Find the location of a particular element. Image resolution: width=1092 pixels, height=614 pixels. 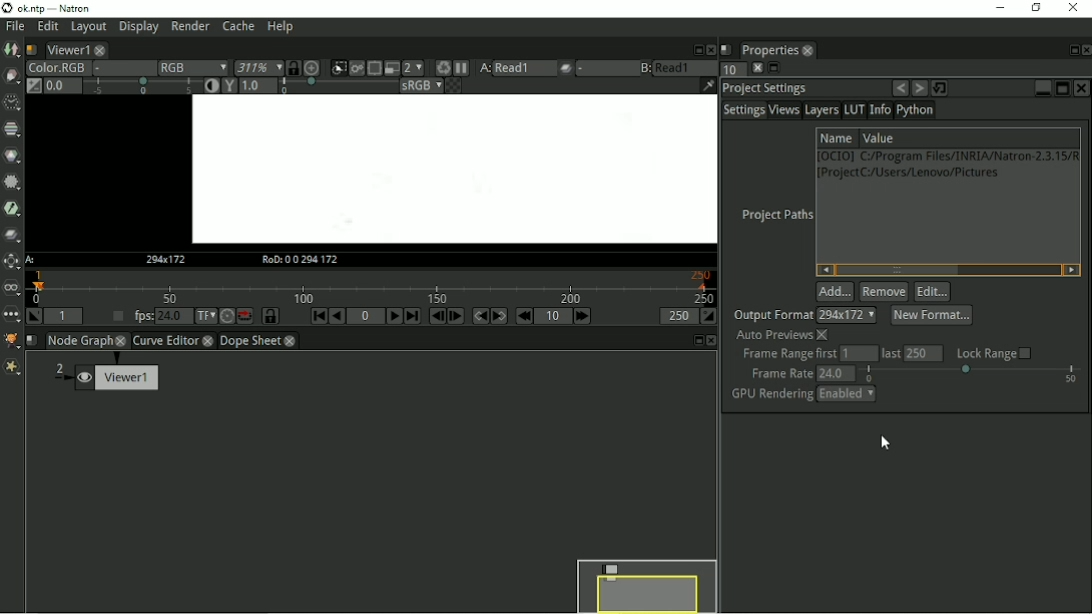

Current frame is located at coordinates (365, 316).